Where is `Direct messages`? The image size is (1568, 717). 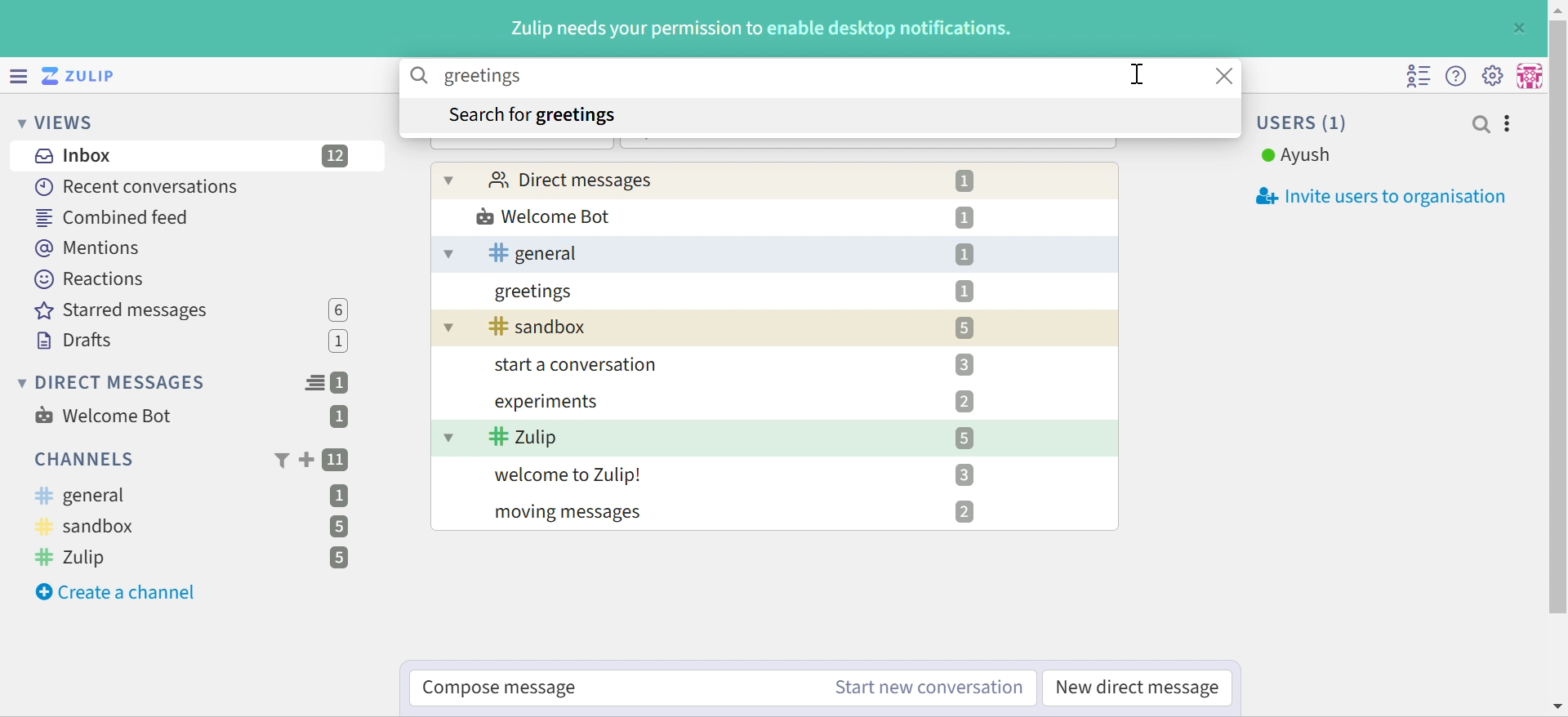
Direct messages is located at coordinates (572, 179).